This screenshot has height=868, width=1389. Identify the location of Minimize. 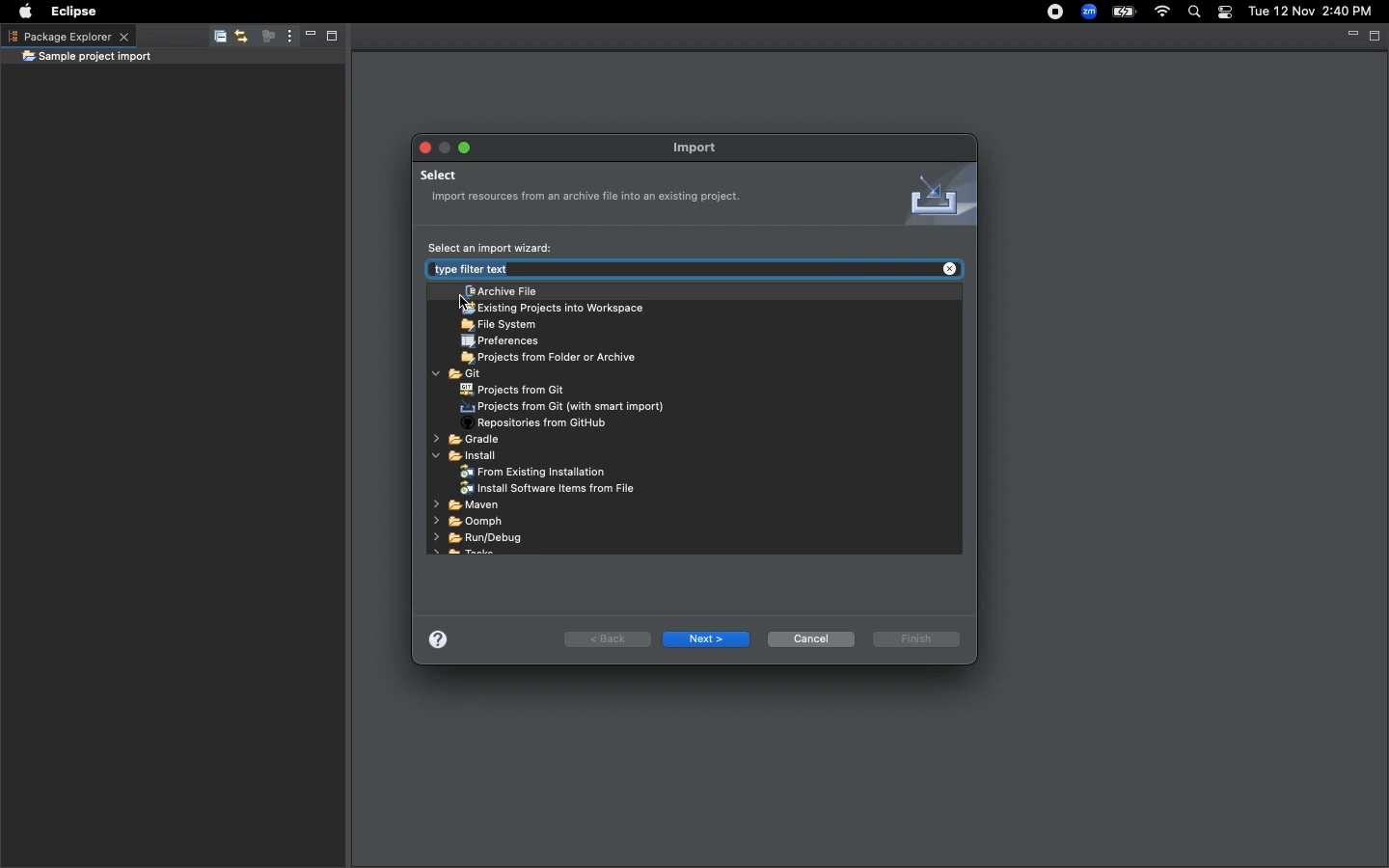
(305, 38).